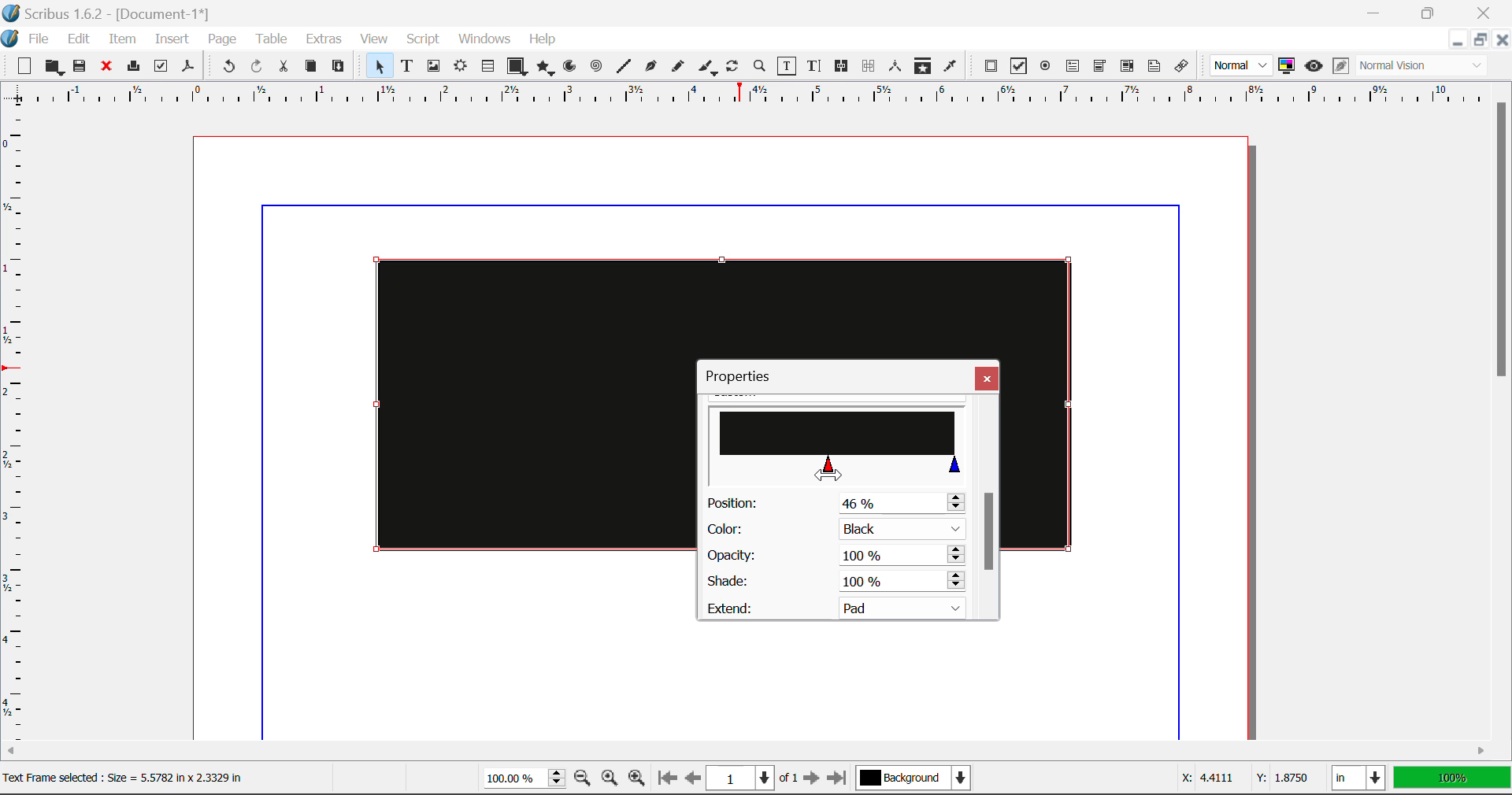 Image resolution: width=1512 pixels, height=795 pixels. What do you see at coordinates (917, 780) in the screenshot?
I see `Background` at bounding box center [917, 780].